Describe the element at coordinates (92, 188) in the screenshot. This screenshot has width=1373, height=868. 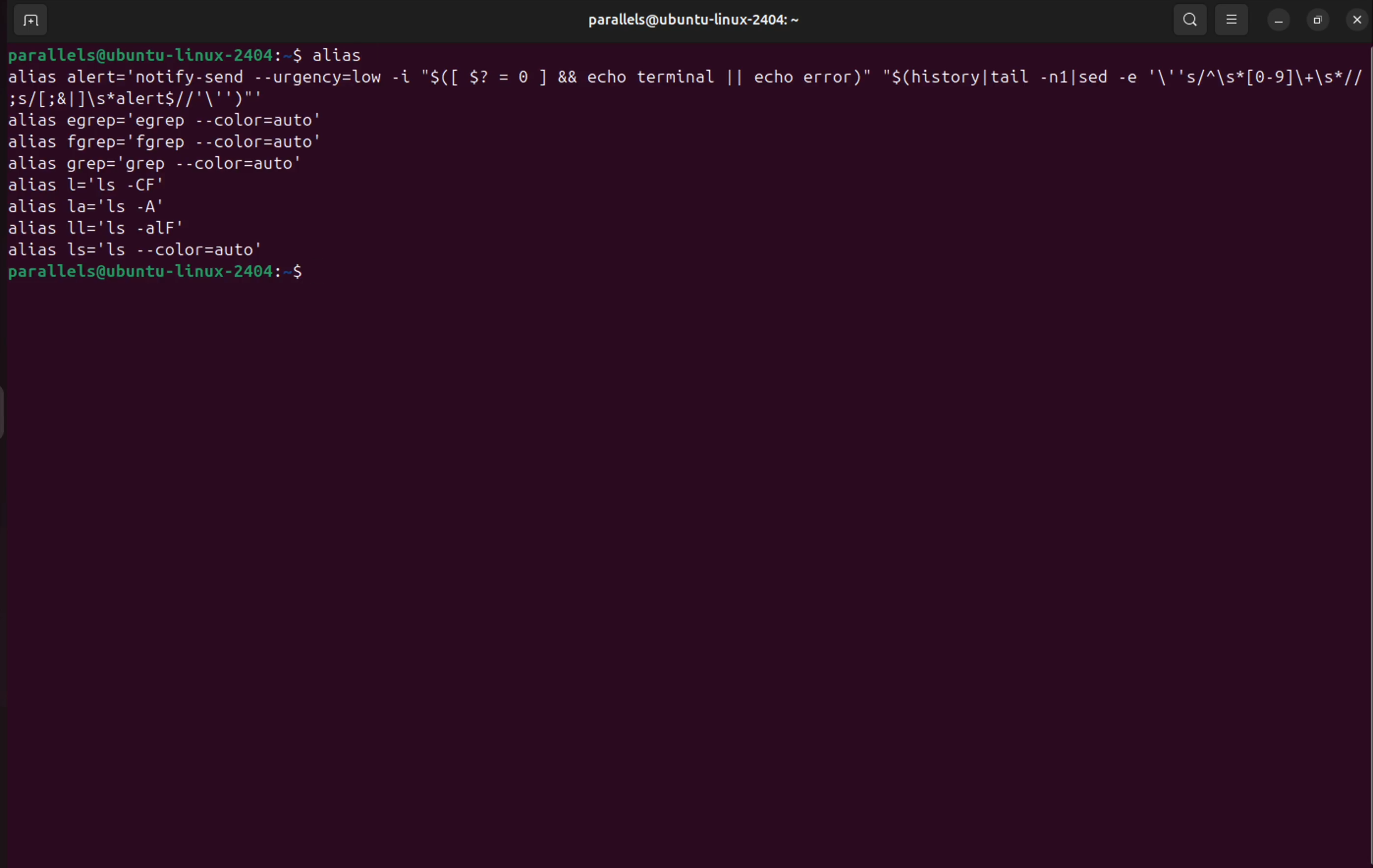
I see `alias l=ls -cf` at that location.